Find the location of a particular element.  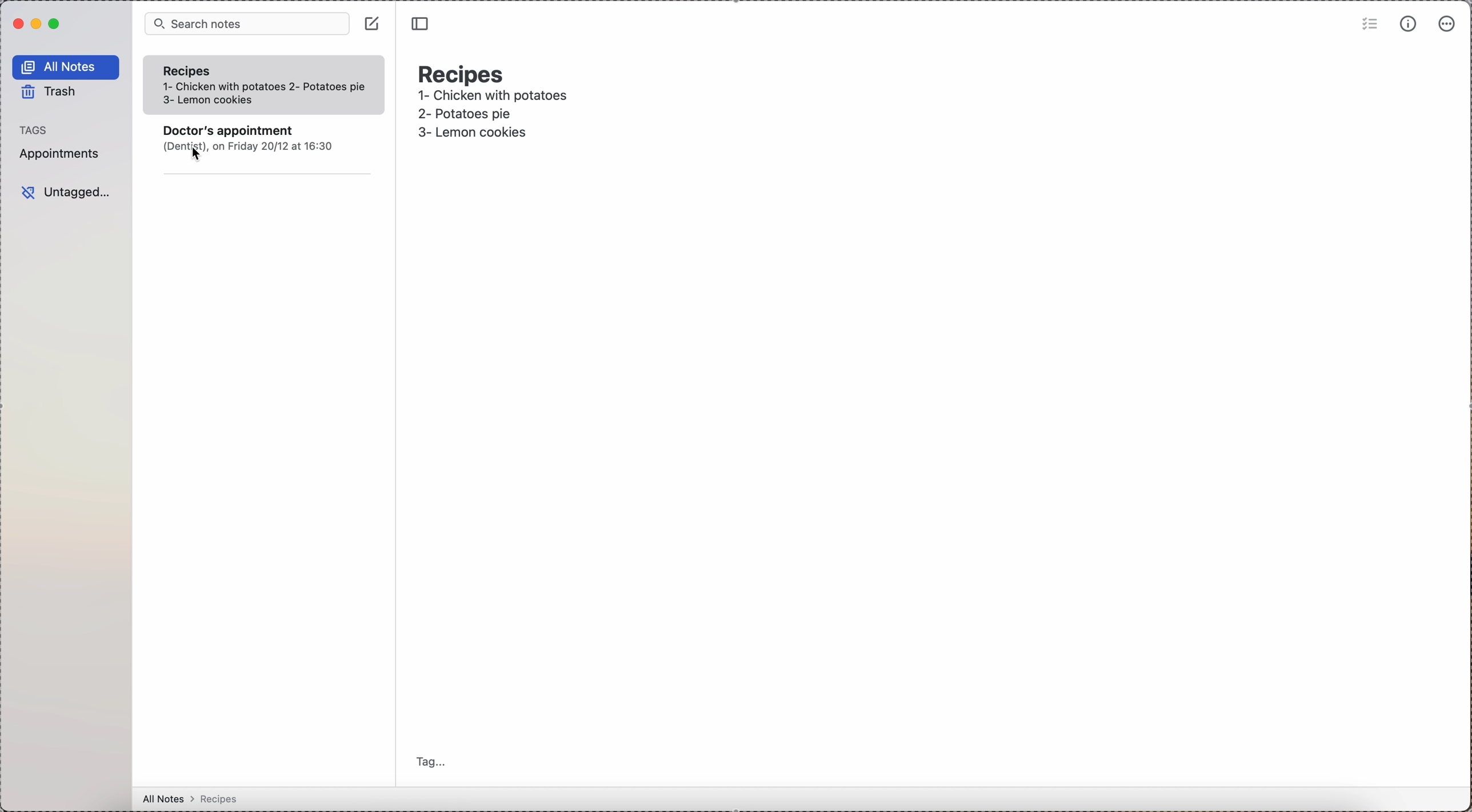

metrics is located at coordinates (1409, 24).